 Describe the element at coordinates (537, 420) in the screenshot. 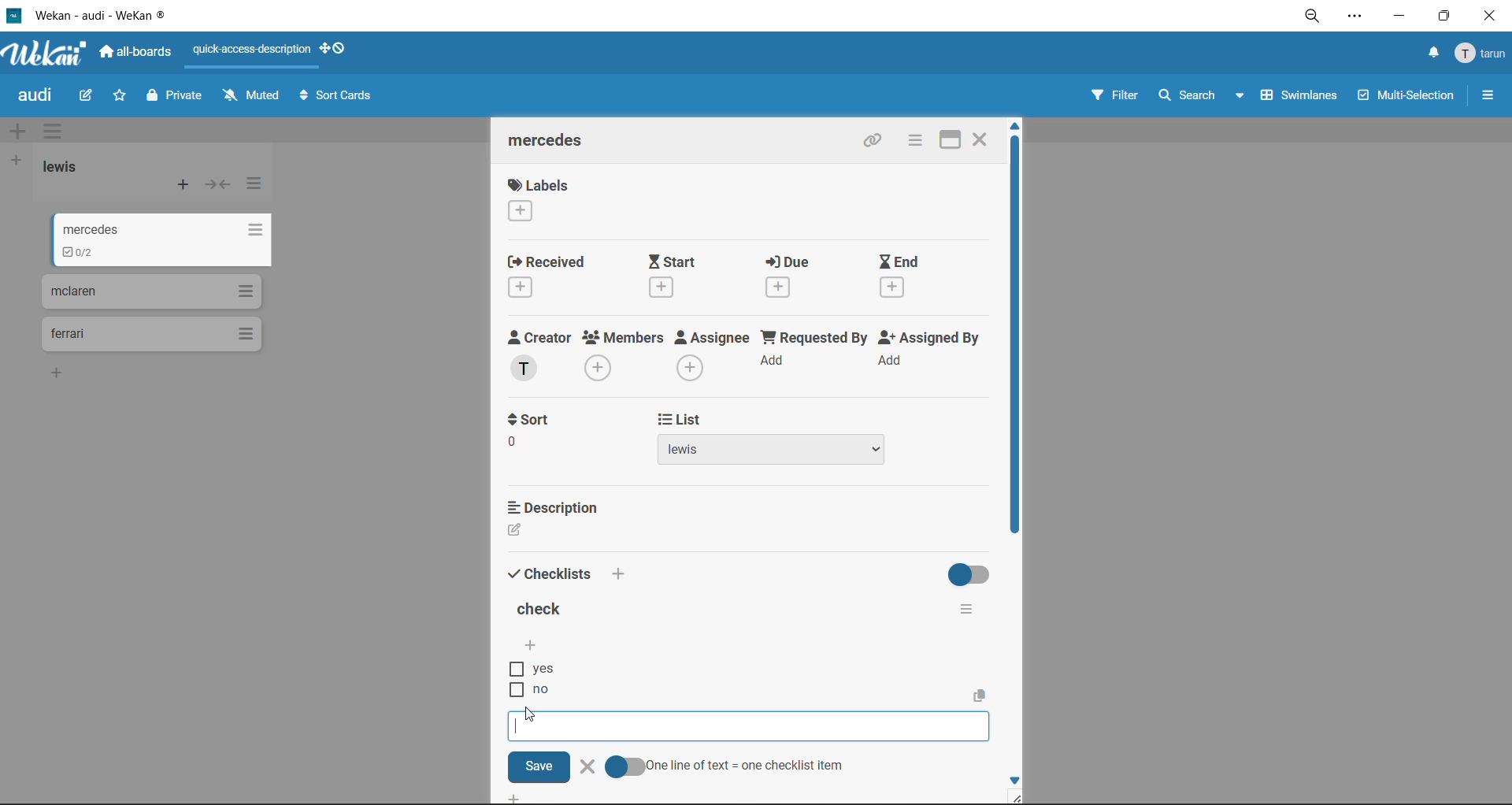

I see `sort` at that location.